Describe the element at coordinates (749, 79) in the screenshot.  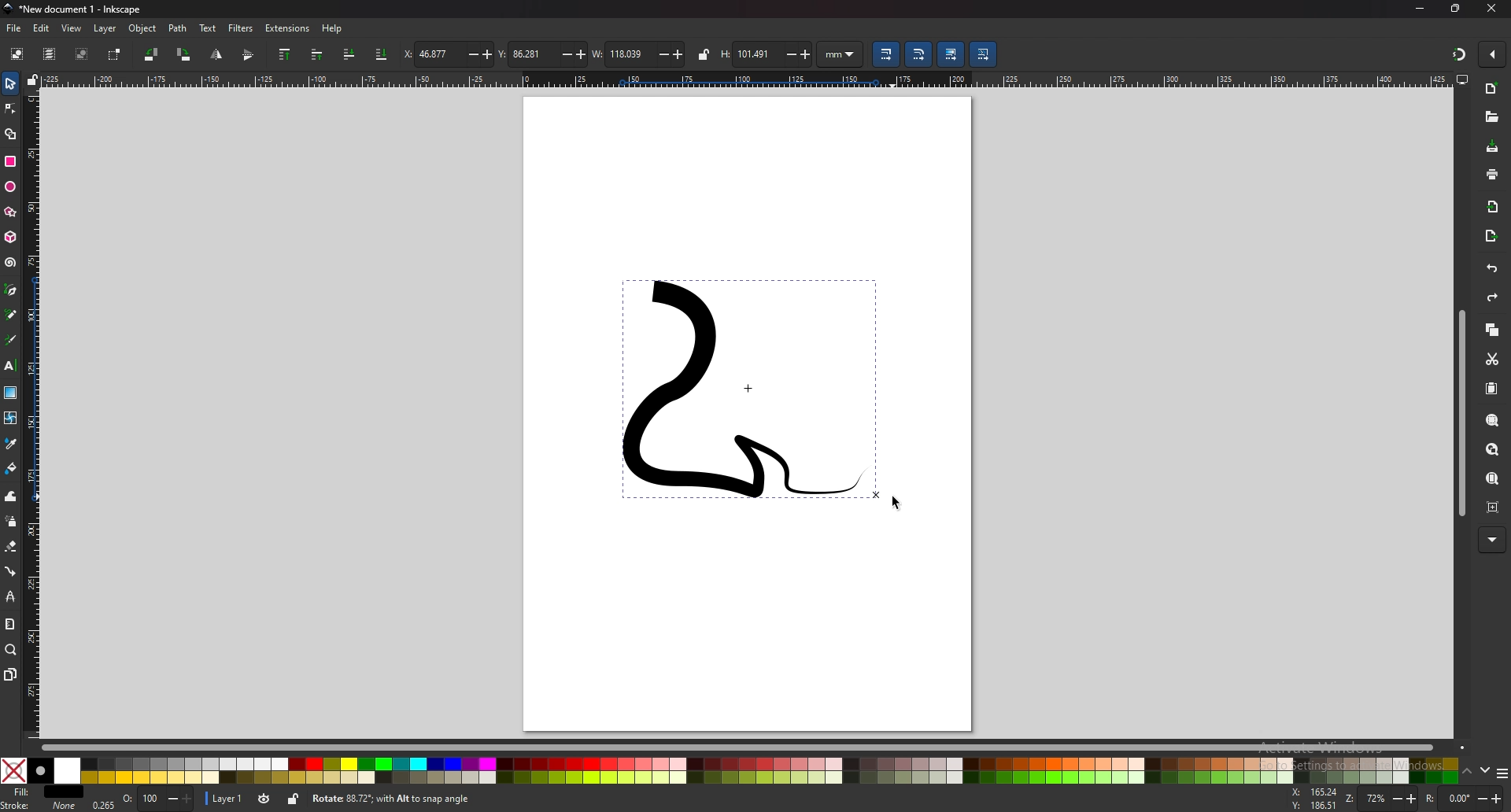
I see `horizontal ruler` at that location.